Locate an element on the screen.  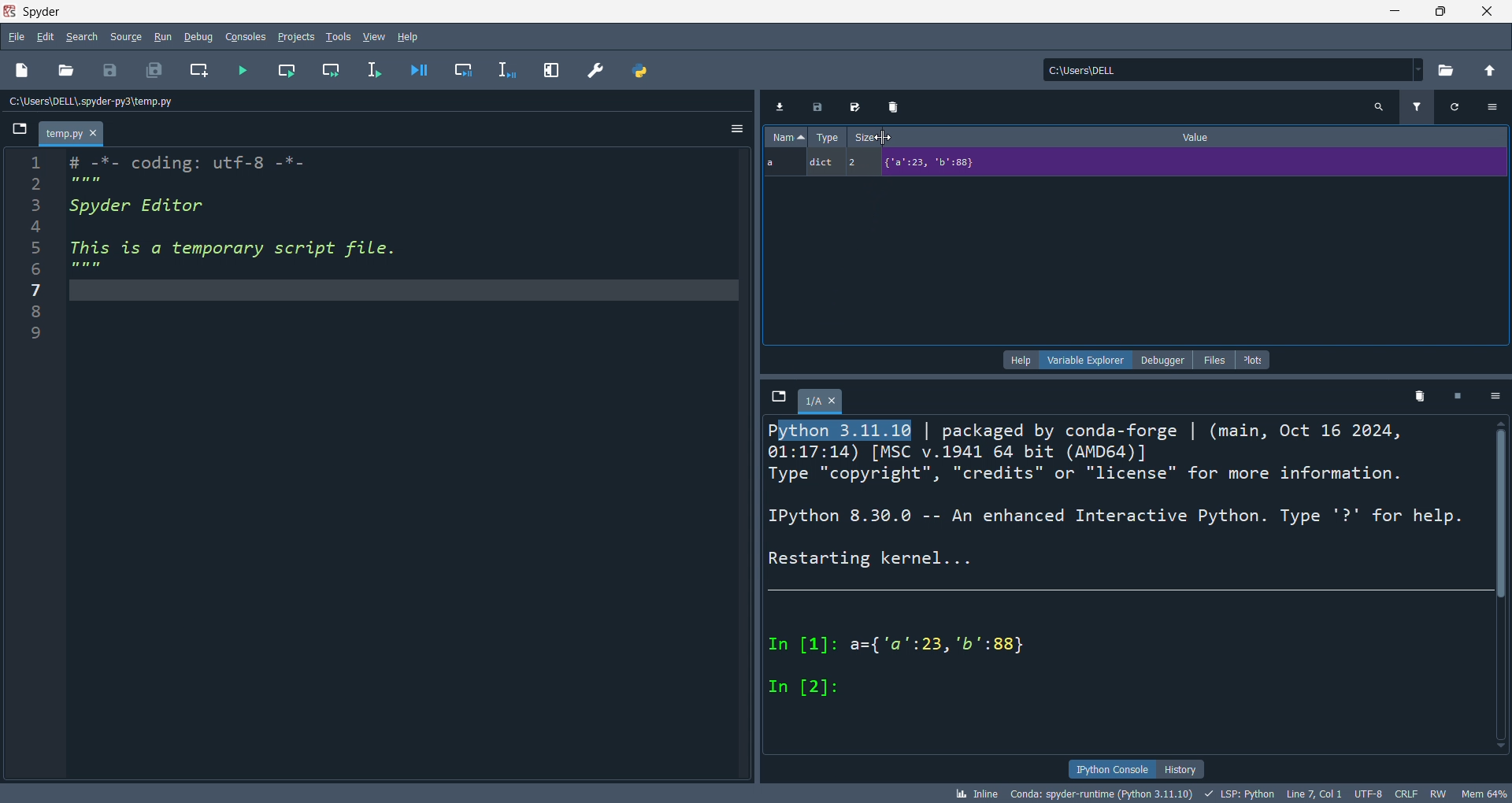
run is located at coordinates (163, 35).